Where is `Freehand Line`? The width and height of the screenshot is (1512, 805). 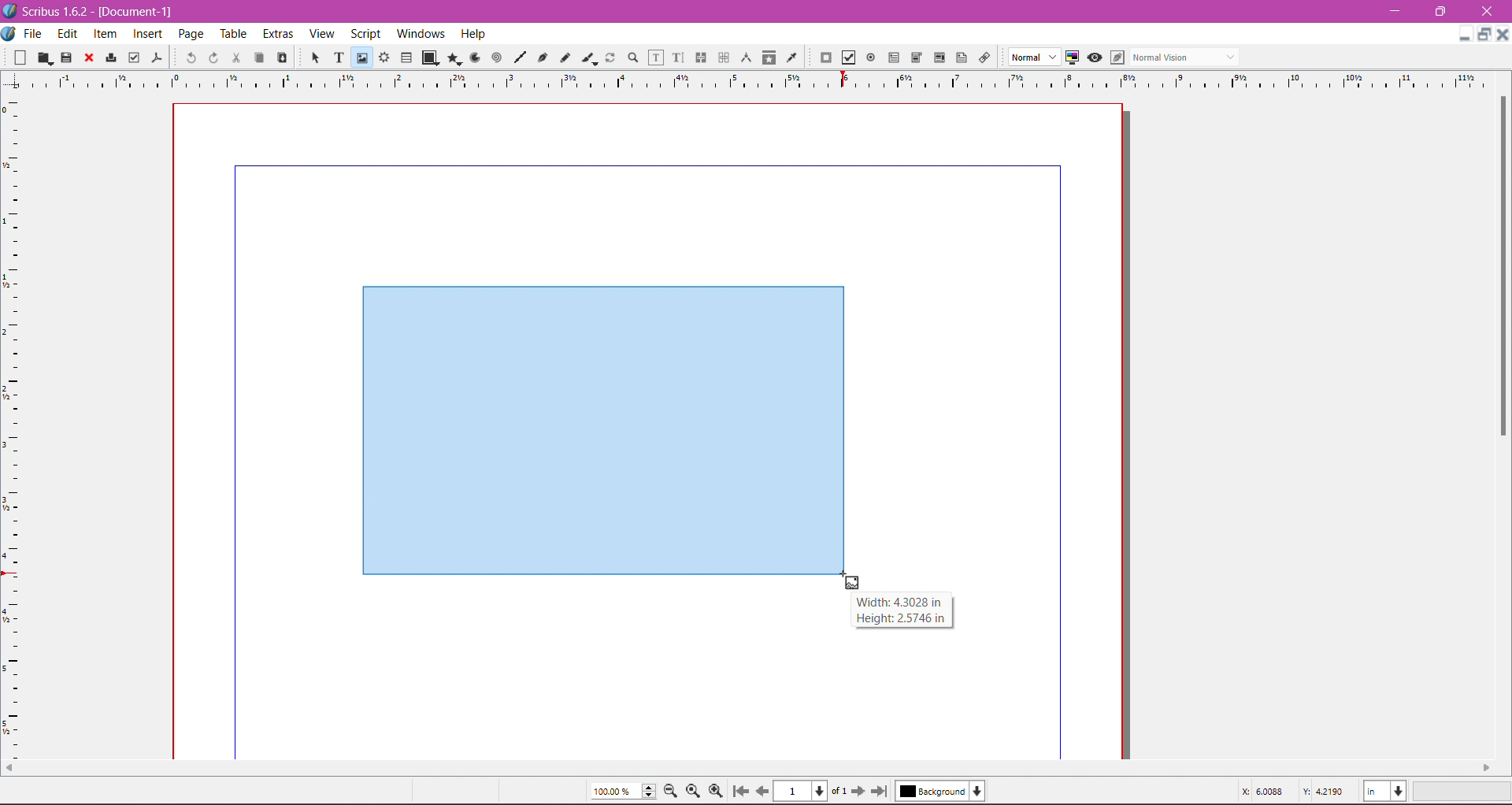
Freehand Line is located at coordinates (565, 57).